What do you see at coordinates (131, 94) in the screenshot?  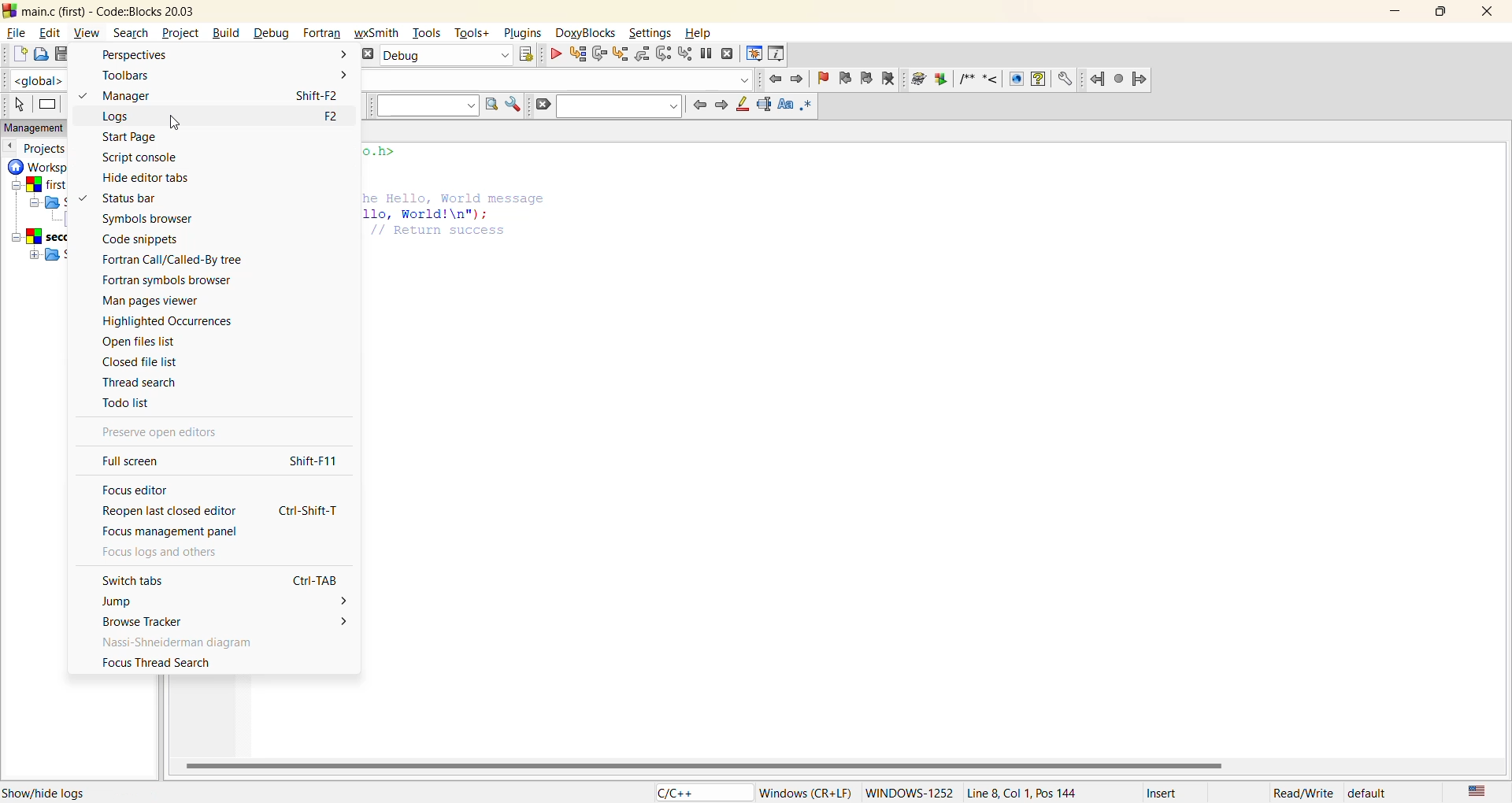 I see `manager` at bounding box center [131, 94].